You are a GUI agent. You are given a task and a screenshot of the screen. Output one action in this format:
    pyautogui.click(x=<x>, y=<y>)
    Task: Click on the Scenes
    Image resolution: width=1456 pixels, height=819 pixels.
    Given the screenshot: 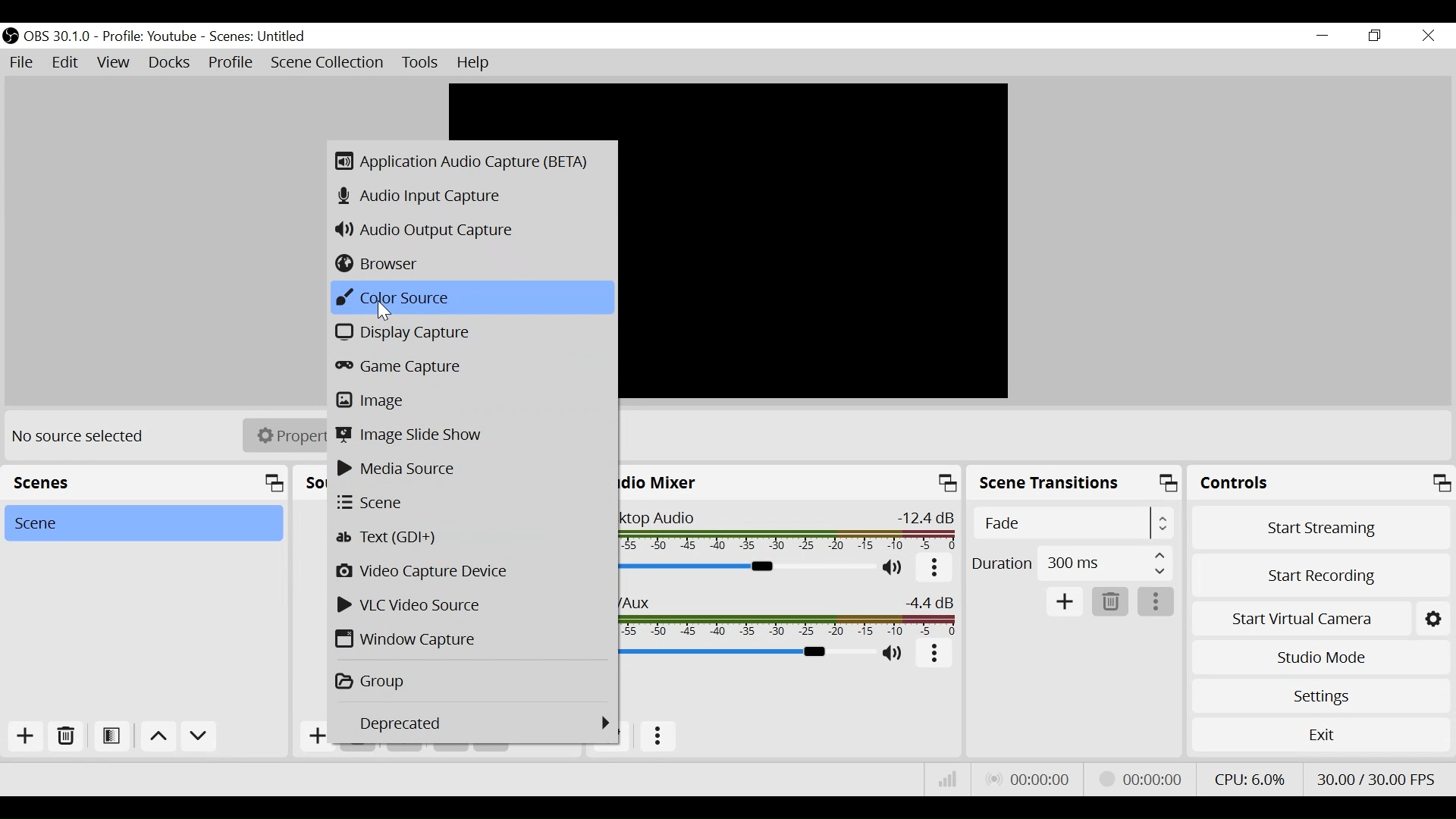 What is the action you would take?
    pyautogui.click(x=144, y=483)
    